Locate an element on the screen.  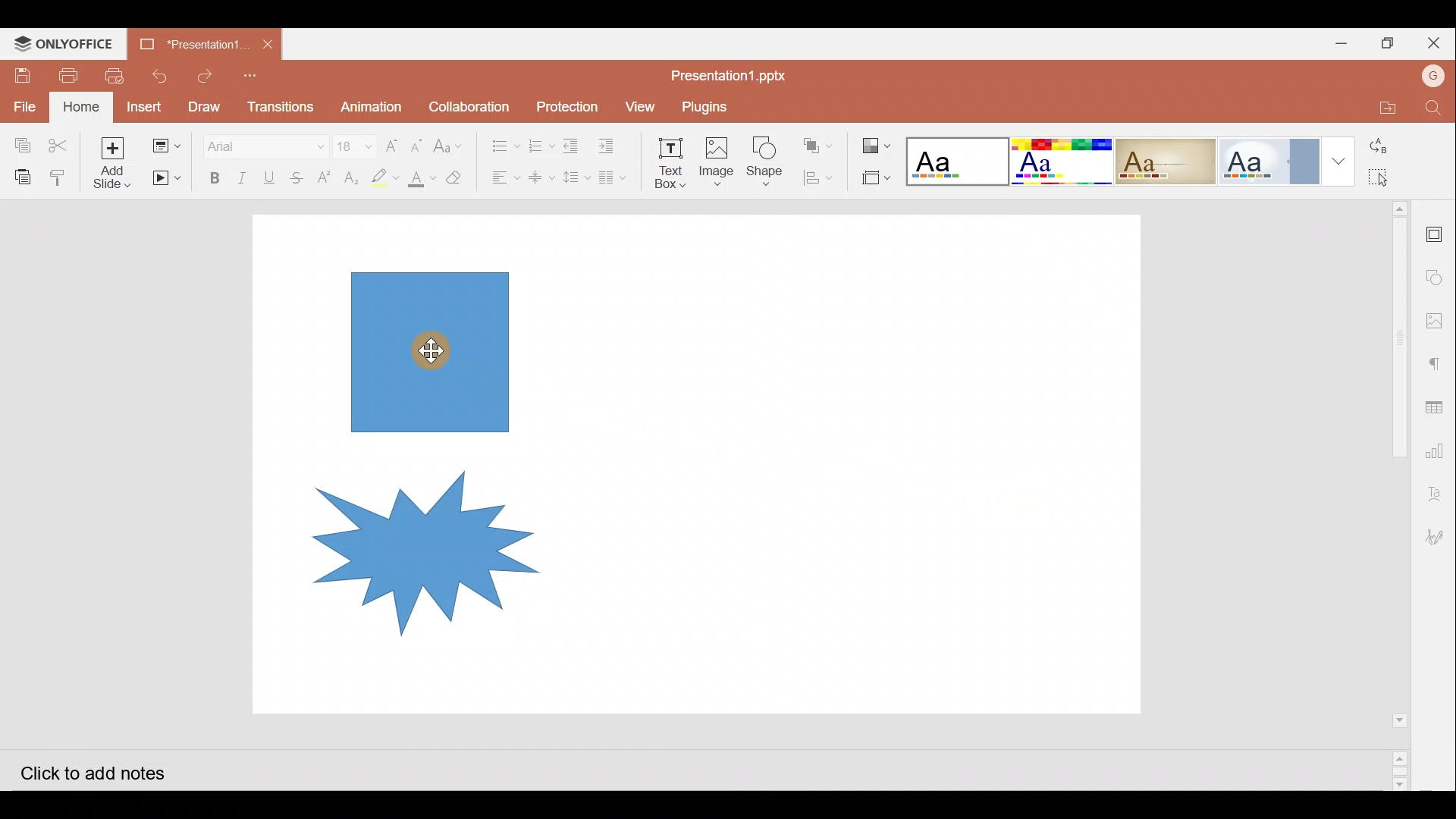
Line spacing is located at coordinates (576, 178).